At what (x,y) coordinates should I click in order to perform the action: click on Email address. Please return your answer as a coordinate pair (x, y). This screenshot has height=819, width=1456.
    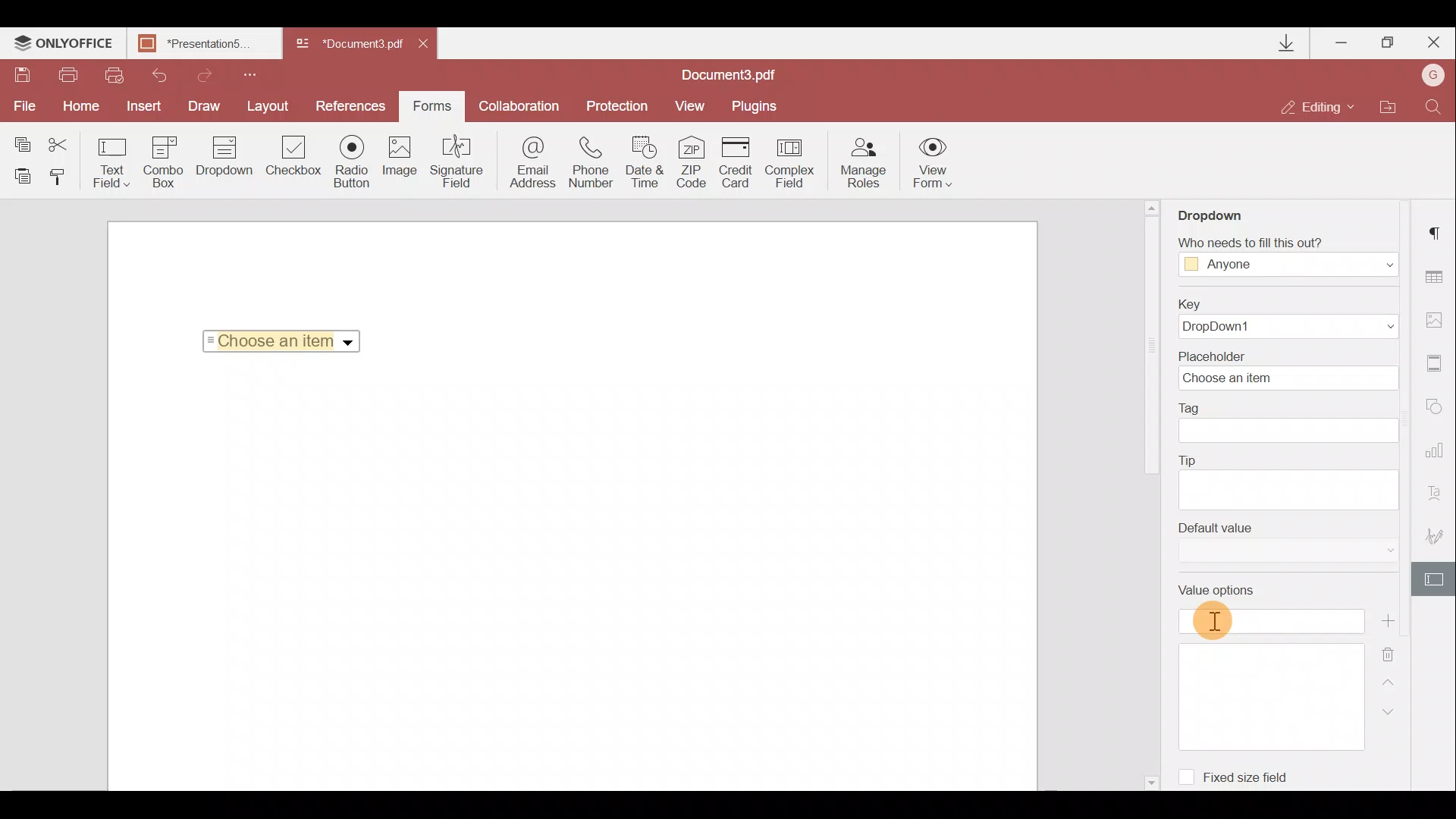
    Looking at the image, I should click on (533, 165).